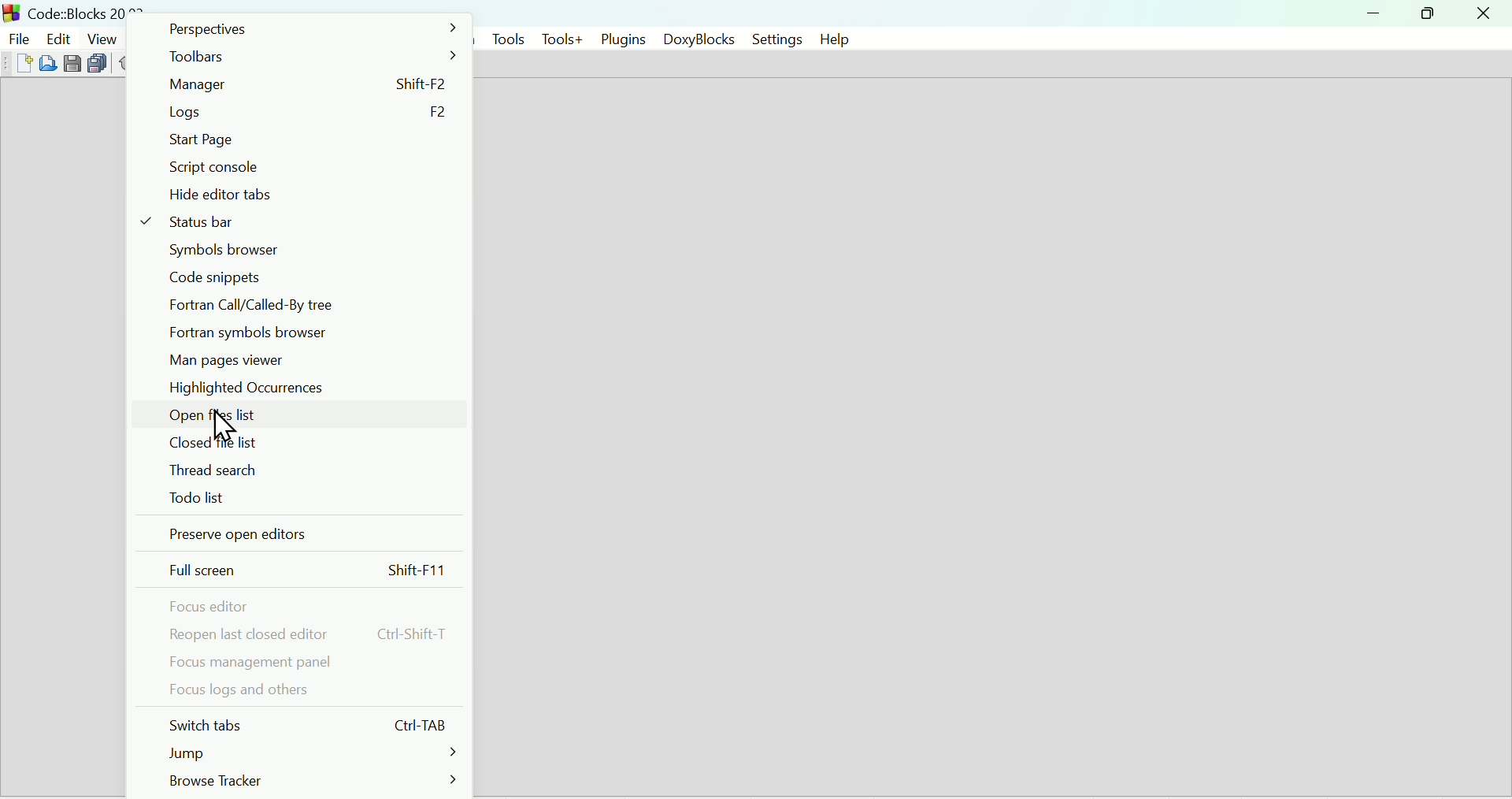 The image size is (1512, 799). Describe the element at coordinates (303, 332) in the screenshot. I see `Fortran symbols browser` at that location.